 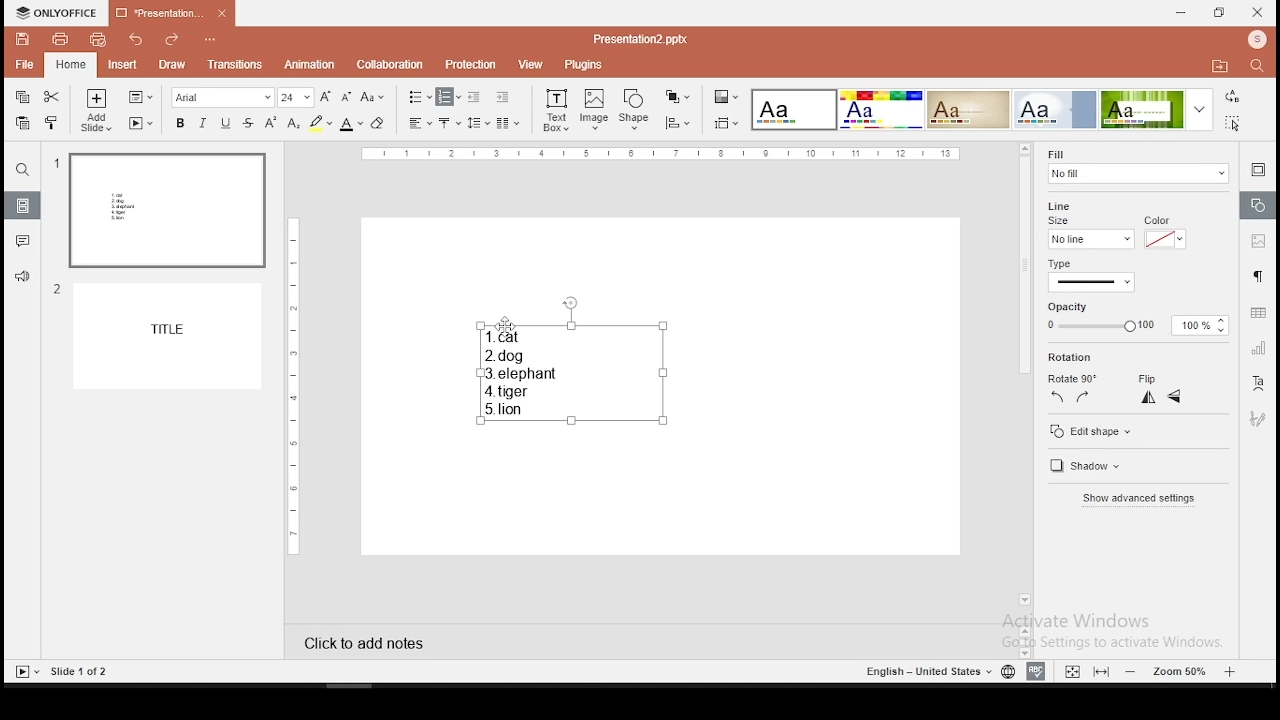 What do you see at coordinates (1072, 357) in the screenshot?
I see `rotation` at bounding box center [1072, 357].